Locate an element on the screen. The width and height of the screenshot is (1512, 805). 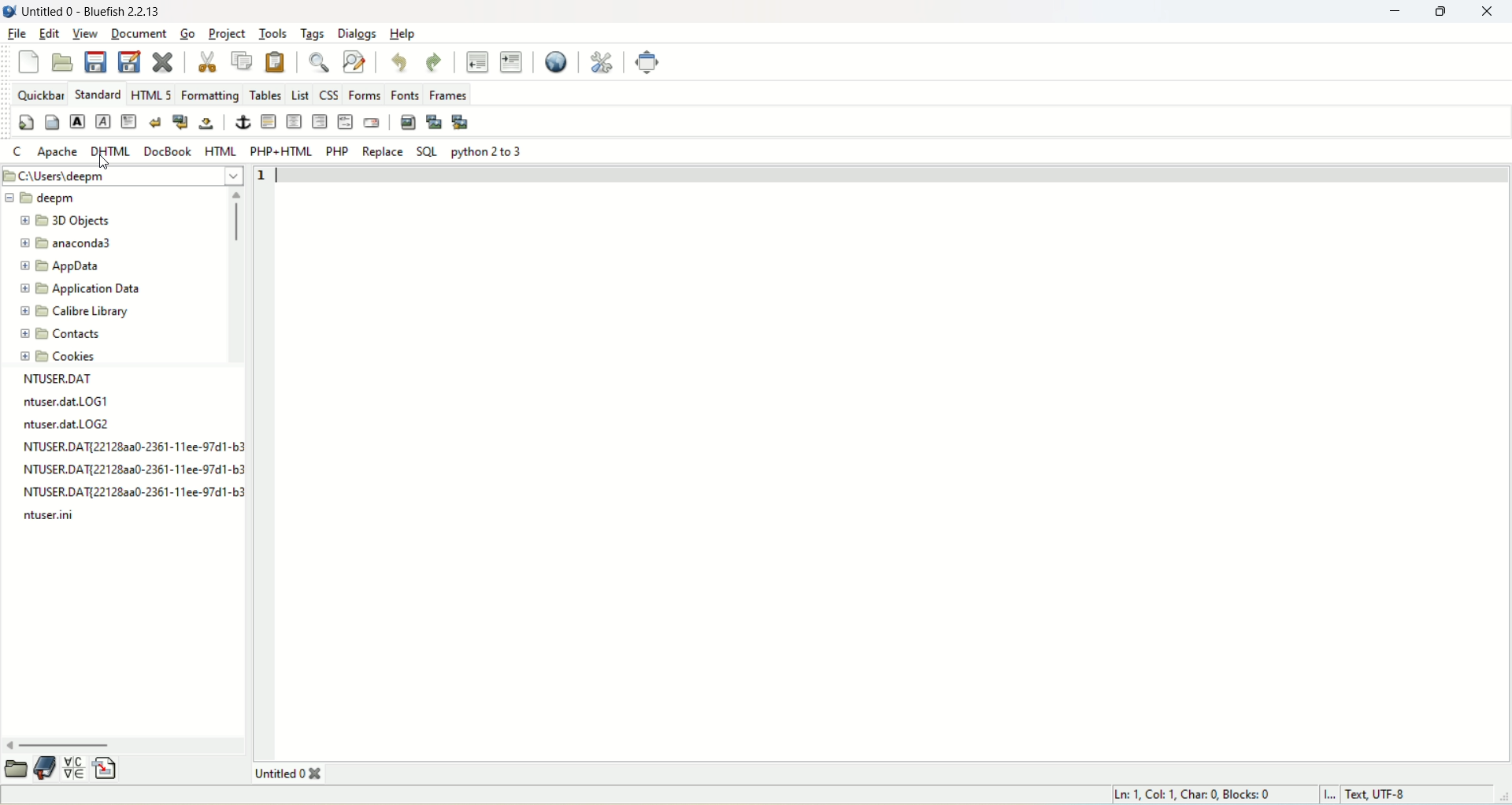
python 2 to 3 is located at coordinates (489, 151).